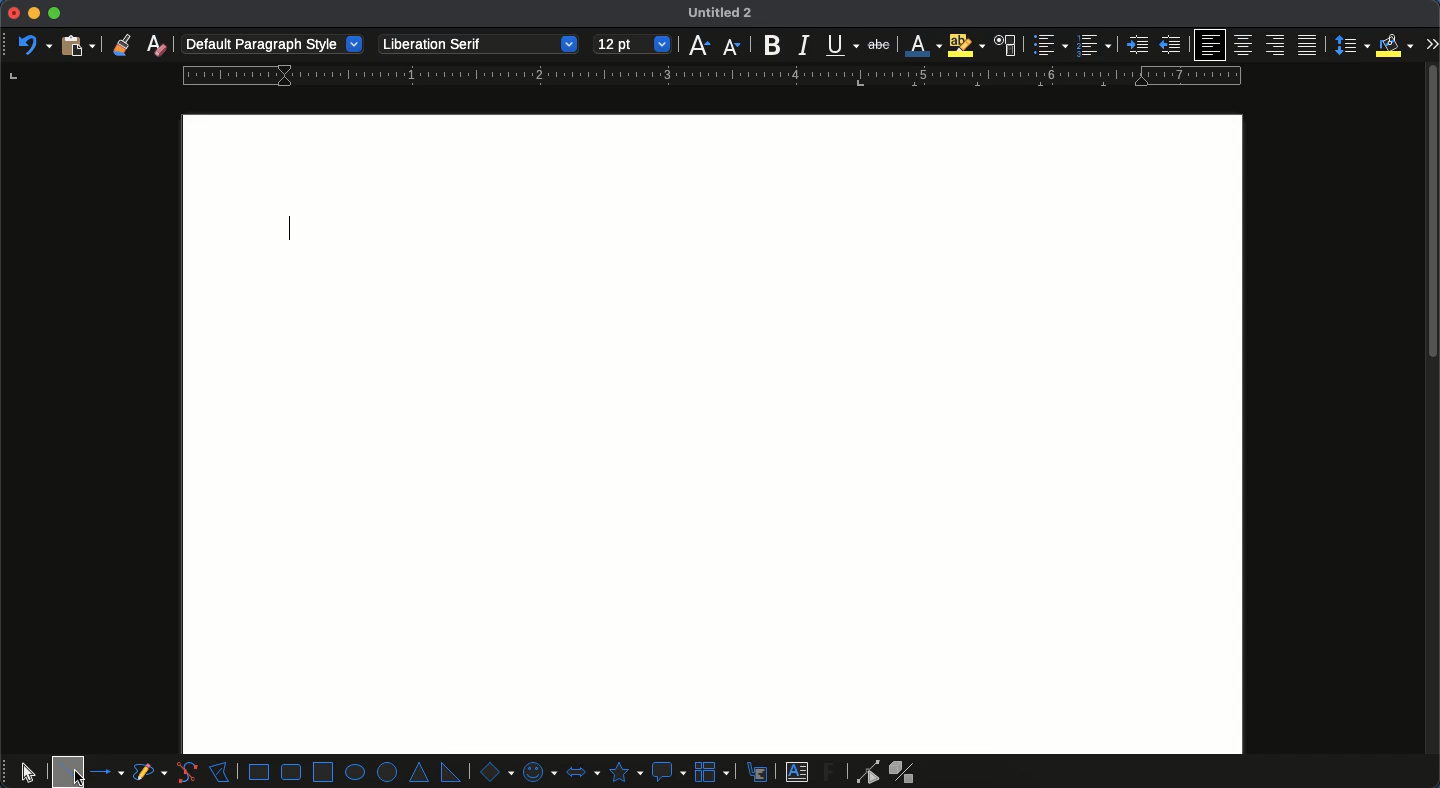 The height and width of the screenshot is (788, 1440). Describe the element at coordinates (54, 14) in the screenshot. I see `maximize` at that location.